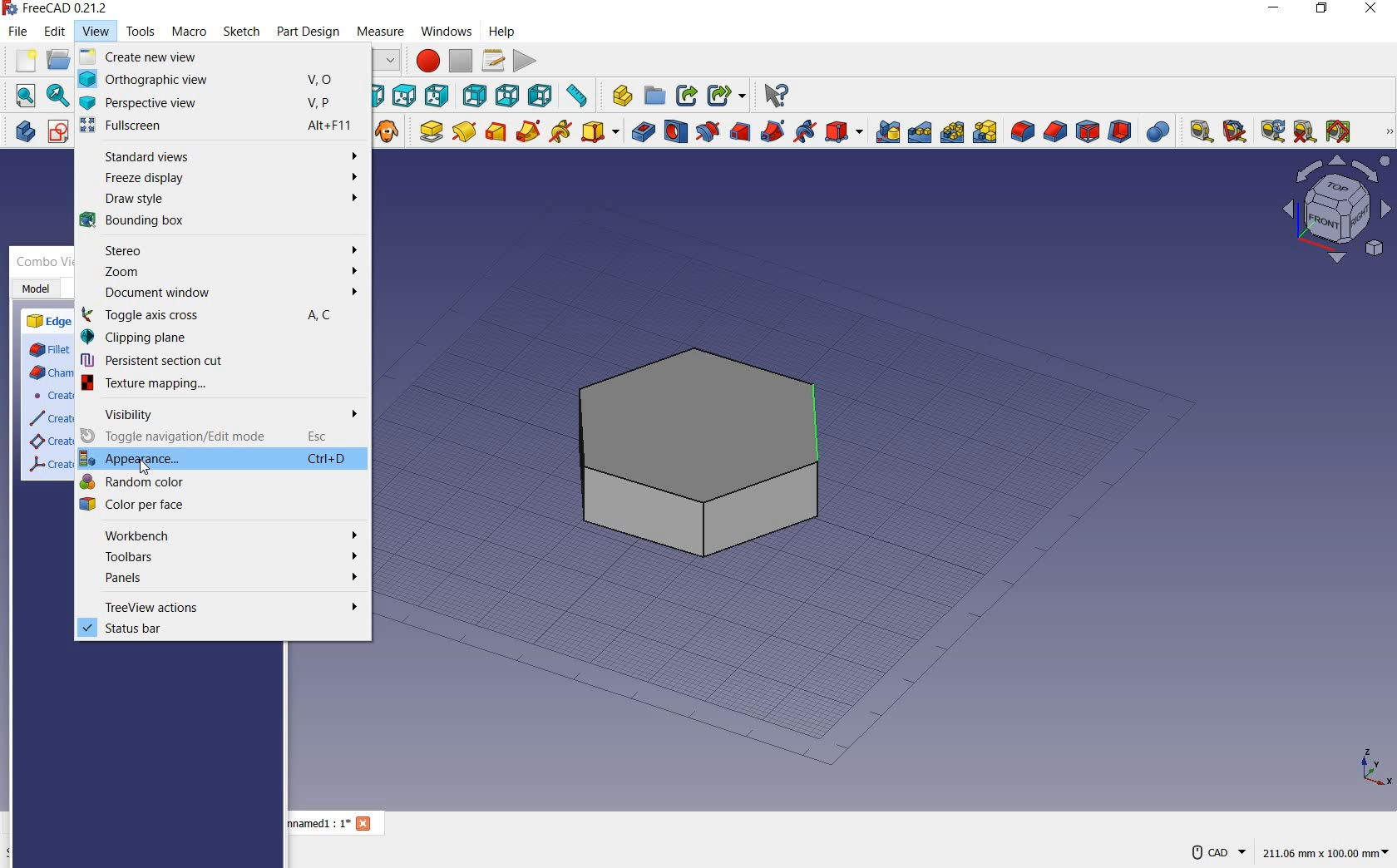  What do you see at coordinates (775, 96) in the screenshot?
I see `what's this?` at bounding box center [775, 96].